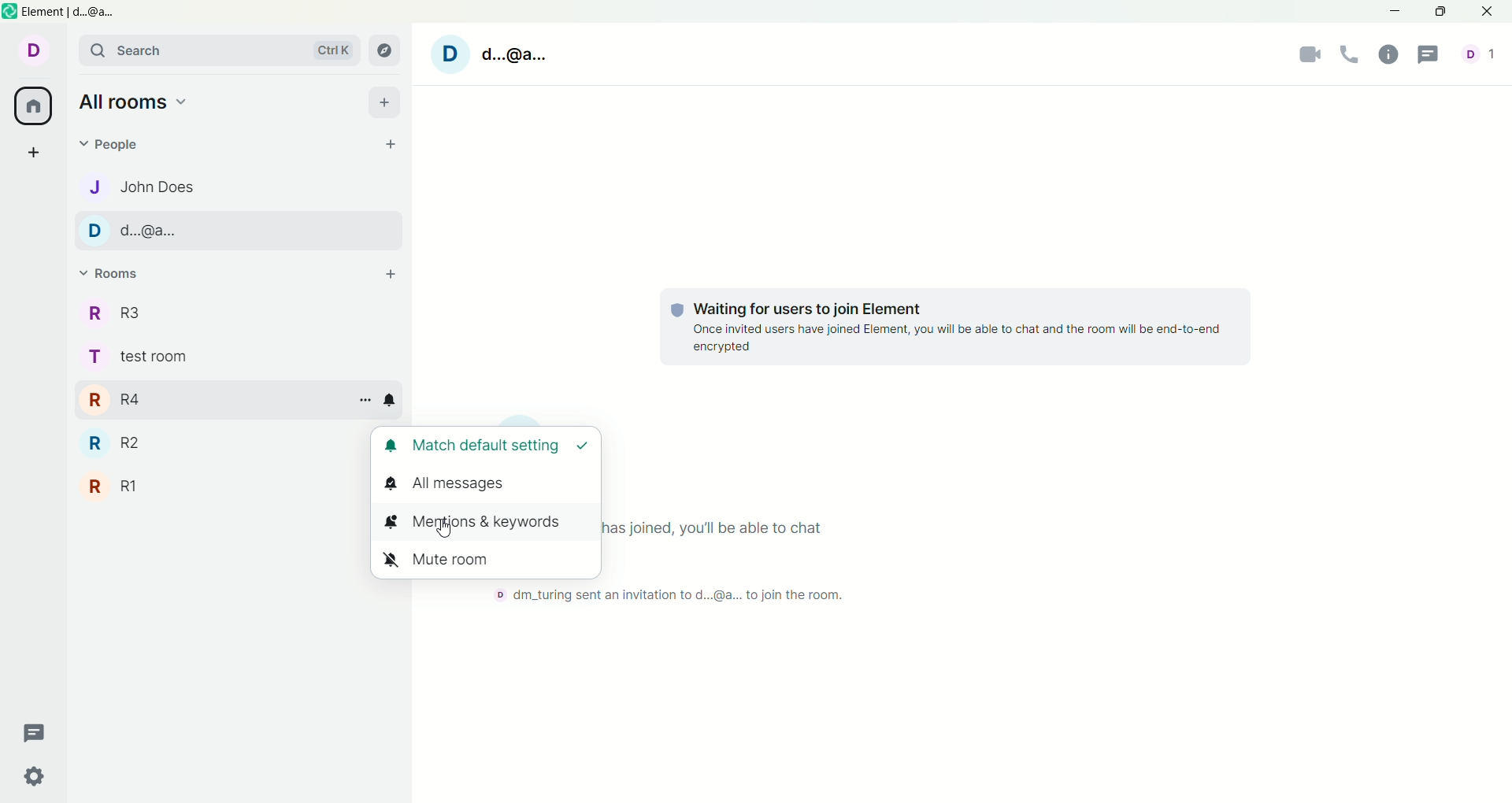  What do you see at coordinates (35, 775) in the screenshot?
I see `quick settings` at bounding box center [35, 775].